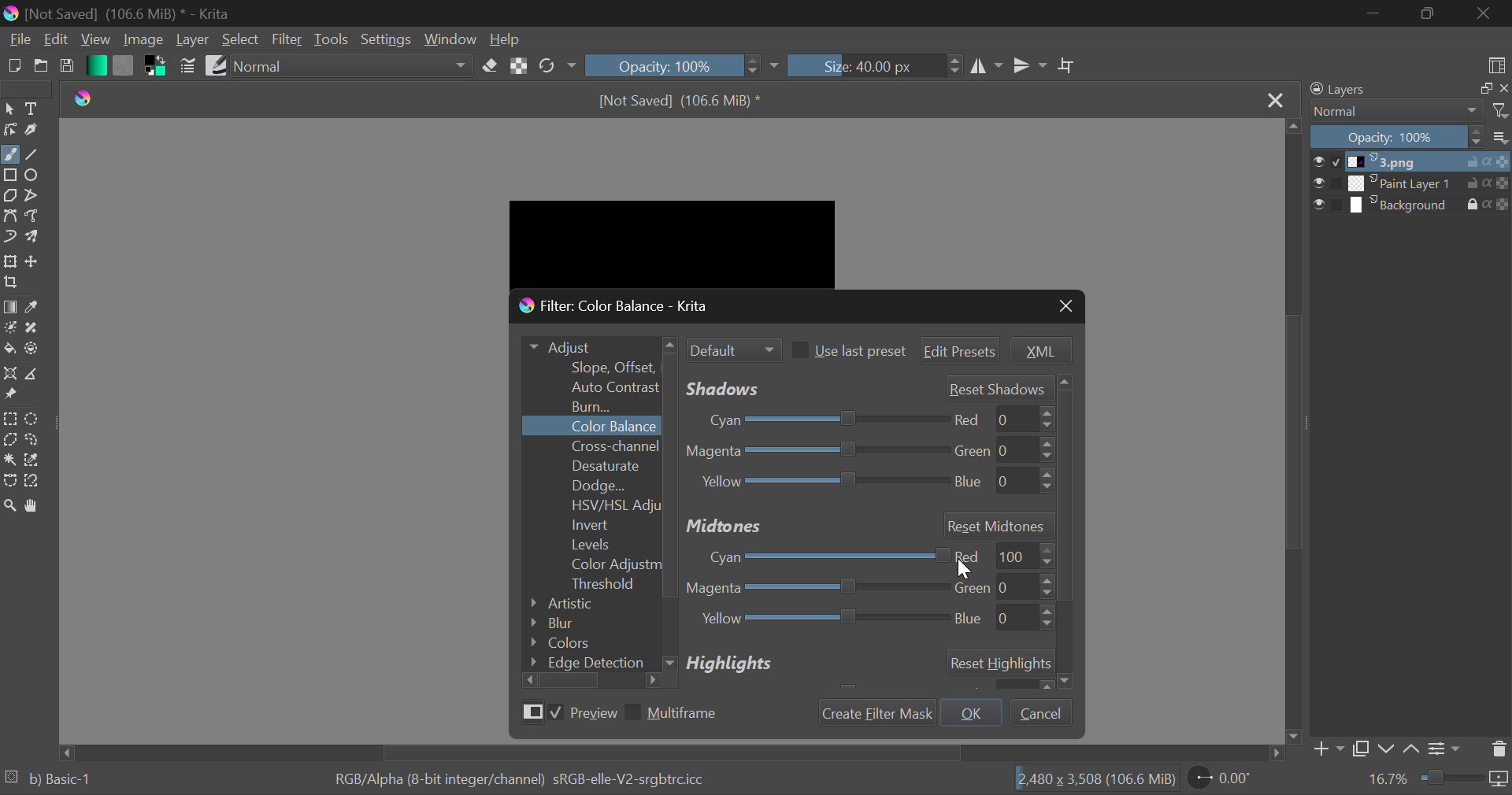 The image size is (1512, 795). Describe the element at coordinates (10, 505) in the screenshot. I see `Zoom` at that location.